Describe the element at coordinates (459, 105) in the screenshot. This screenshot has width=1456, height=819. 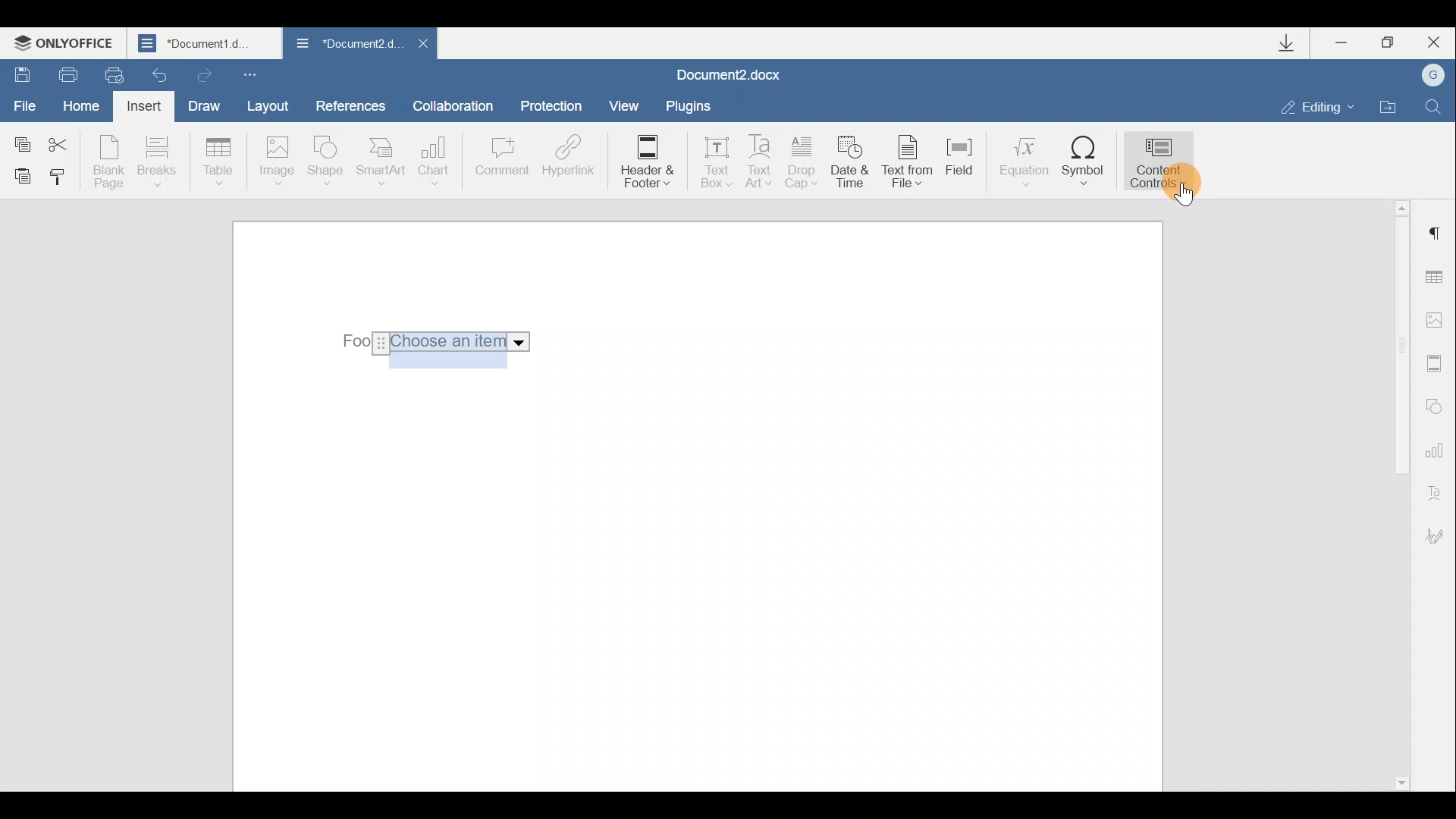
I see `Collaboration` at that location.